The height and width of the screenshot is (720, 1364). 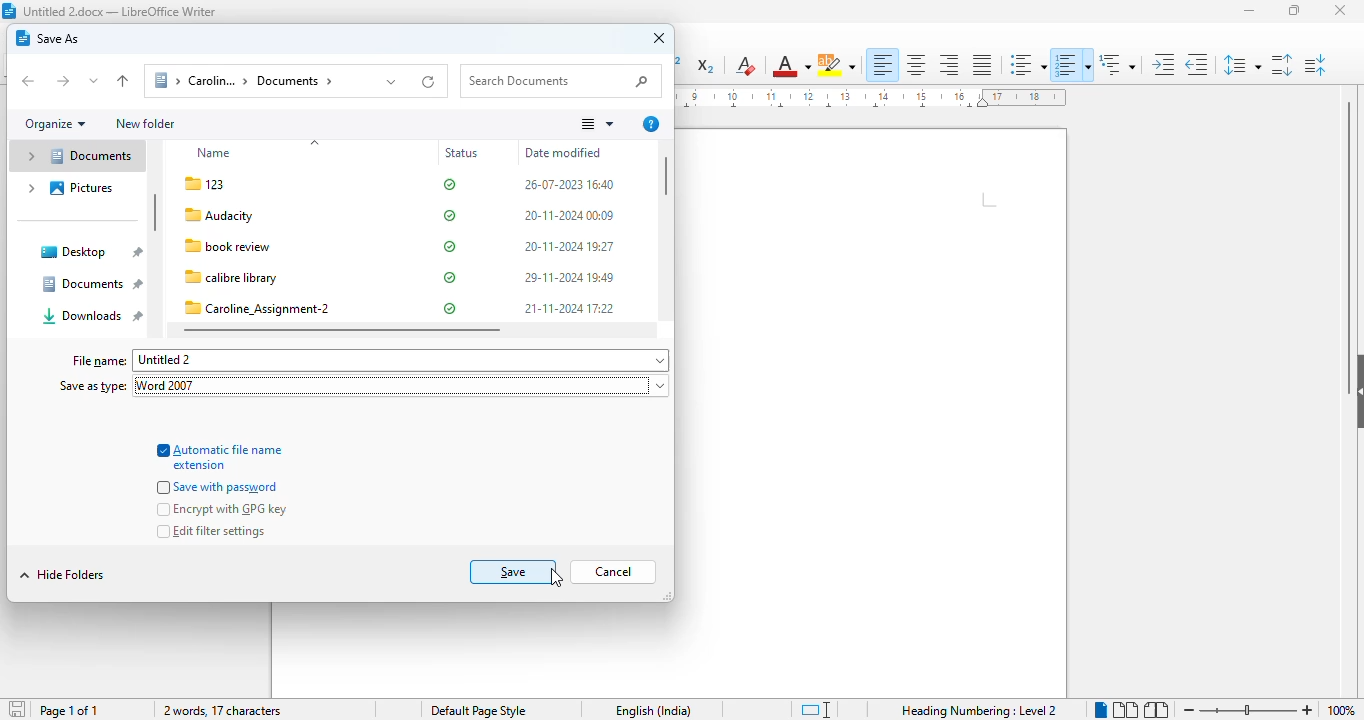 What do you see at coordinates (560, 81) in the screenshot?
I see `search documents` at bounding box center [560, 81].